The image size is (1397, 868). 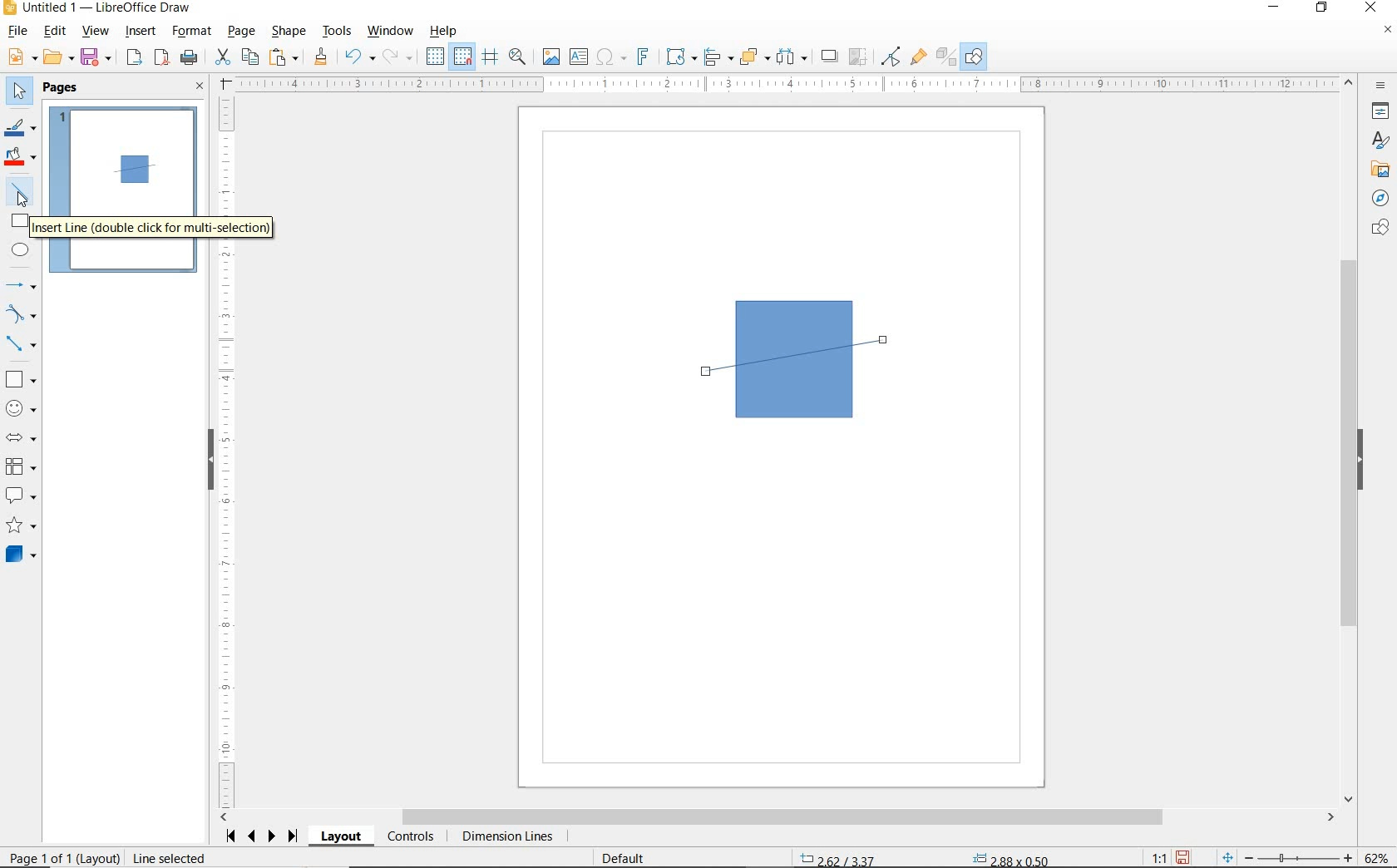 I want to click on BLOCK ARROWS, so click(x=26, y=437).